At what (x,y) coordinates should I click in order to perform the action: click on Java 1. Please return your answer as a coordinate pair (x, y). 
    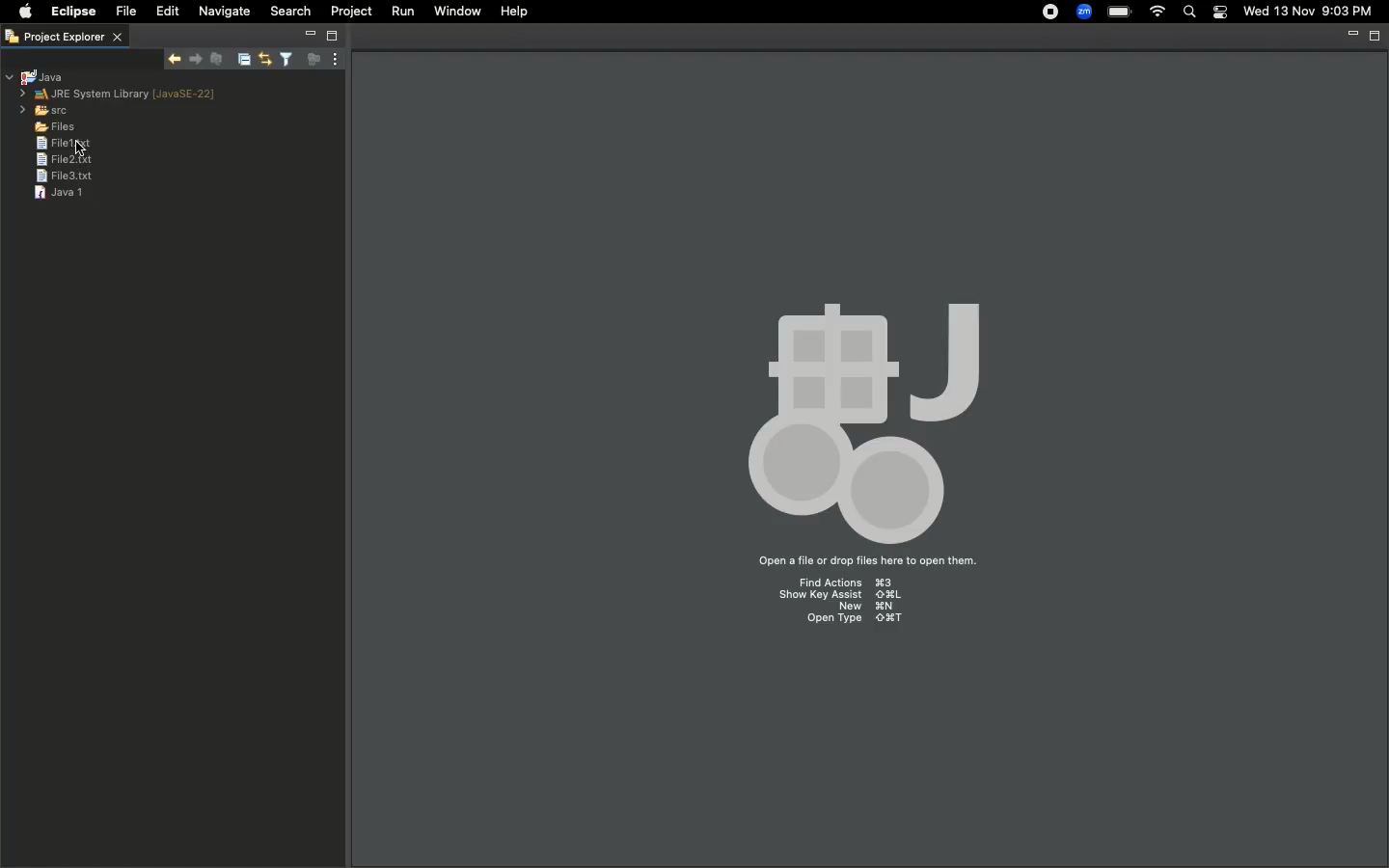
    Looking at the image, I should click on (58, 192).